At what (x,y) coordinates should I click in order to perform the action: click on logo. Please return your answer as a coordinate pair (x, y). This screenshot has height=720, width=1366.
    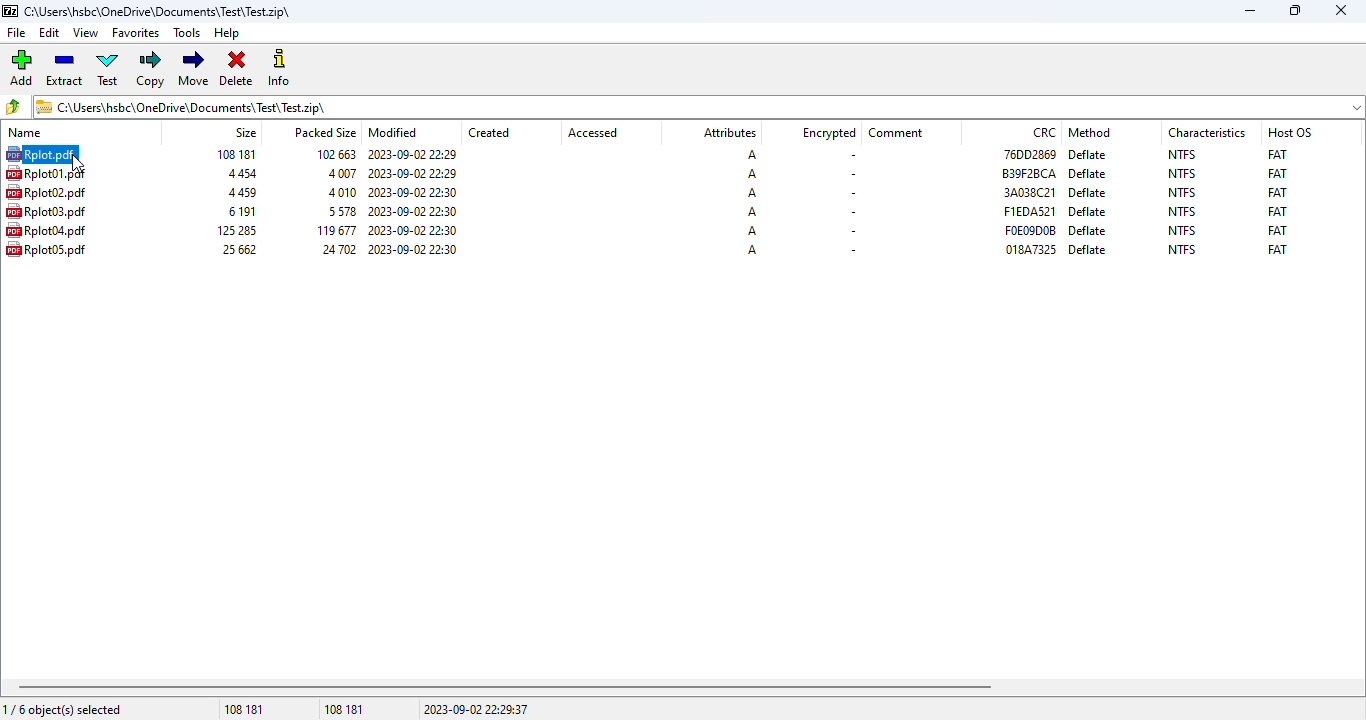
    Looking at the image, I should click on (9, 11).